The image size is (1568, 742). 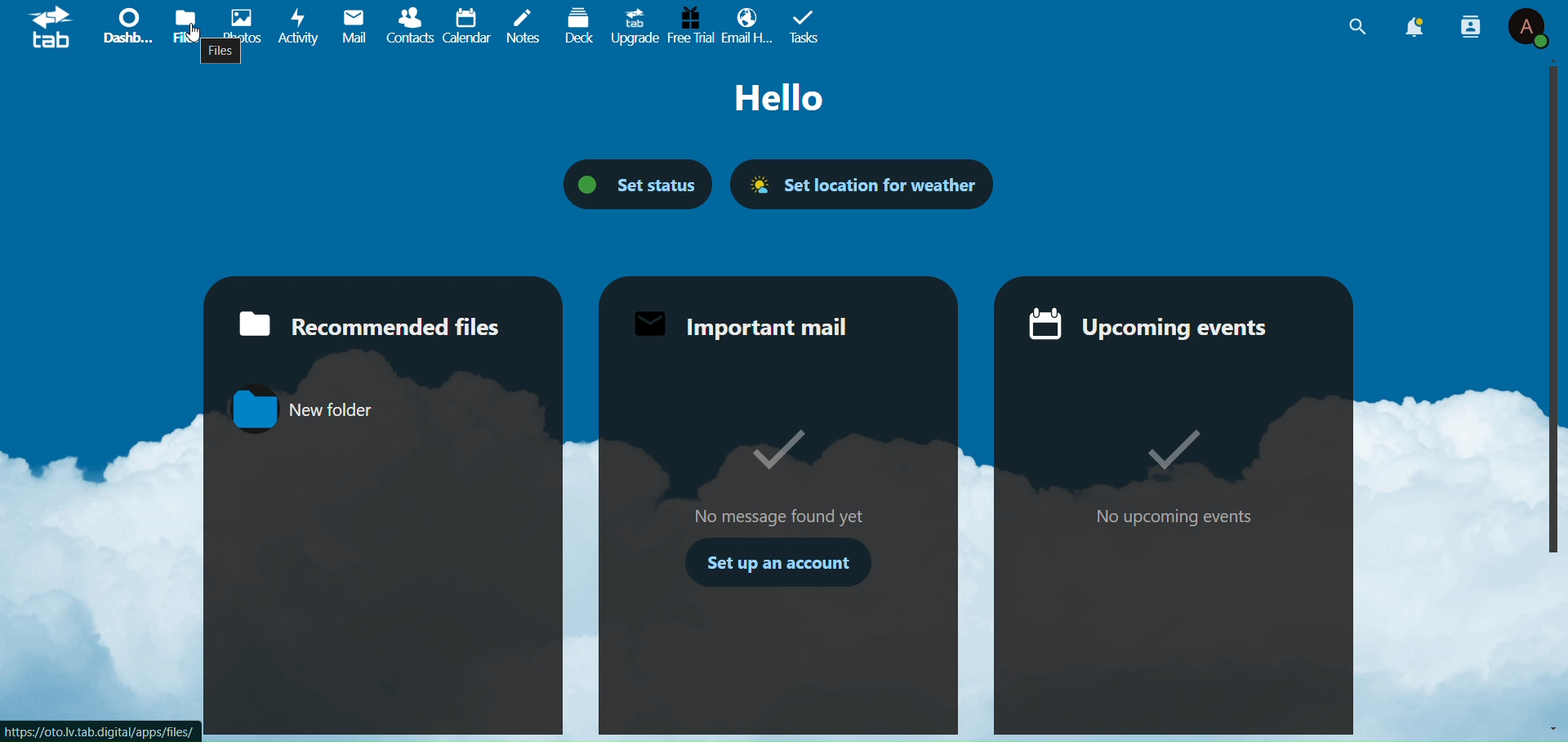 What do you see at coordinates (787, 99) in the screenshot?
I see `ext` at bounding box center [787, 99].